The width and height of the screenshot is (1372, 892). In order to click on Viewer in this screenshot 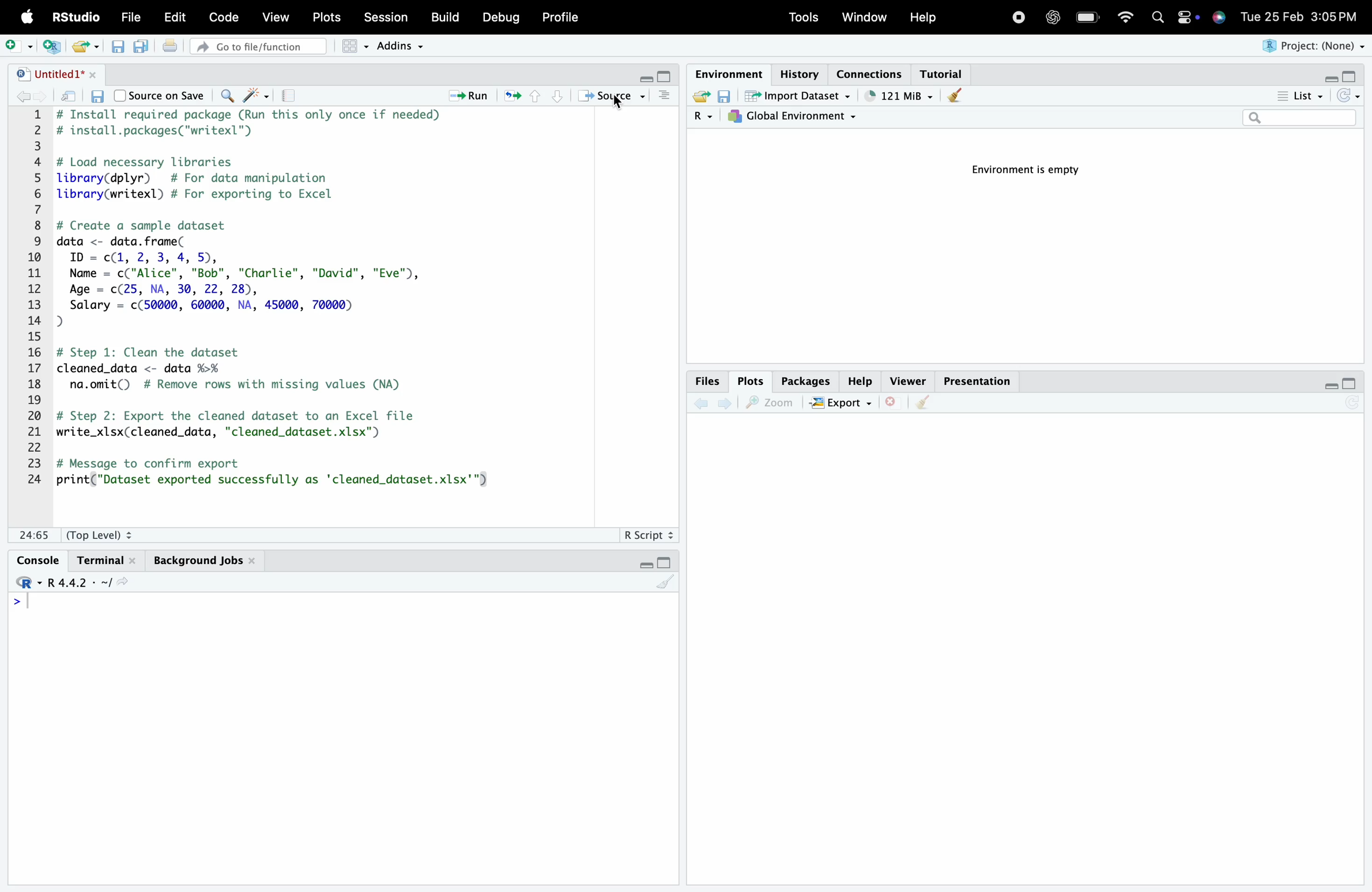, I will do `click(908, 381)`.